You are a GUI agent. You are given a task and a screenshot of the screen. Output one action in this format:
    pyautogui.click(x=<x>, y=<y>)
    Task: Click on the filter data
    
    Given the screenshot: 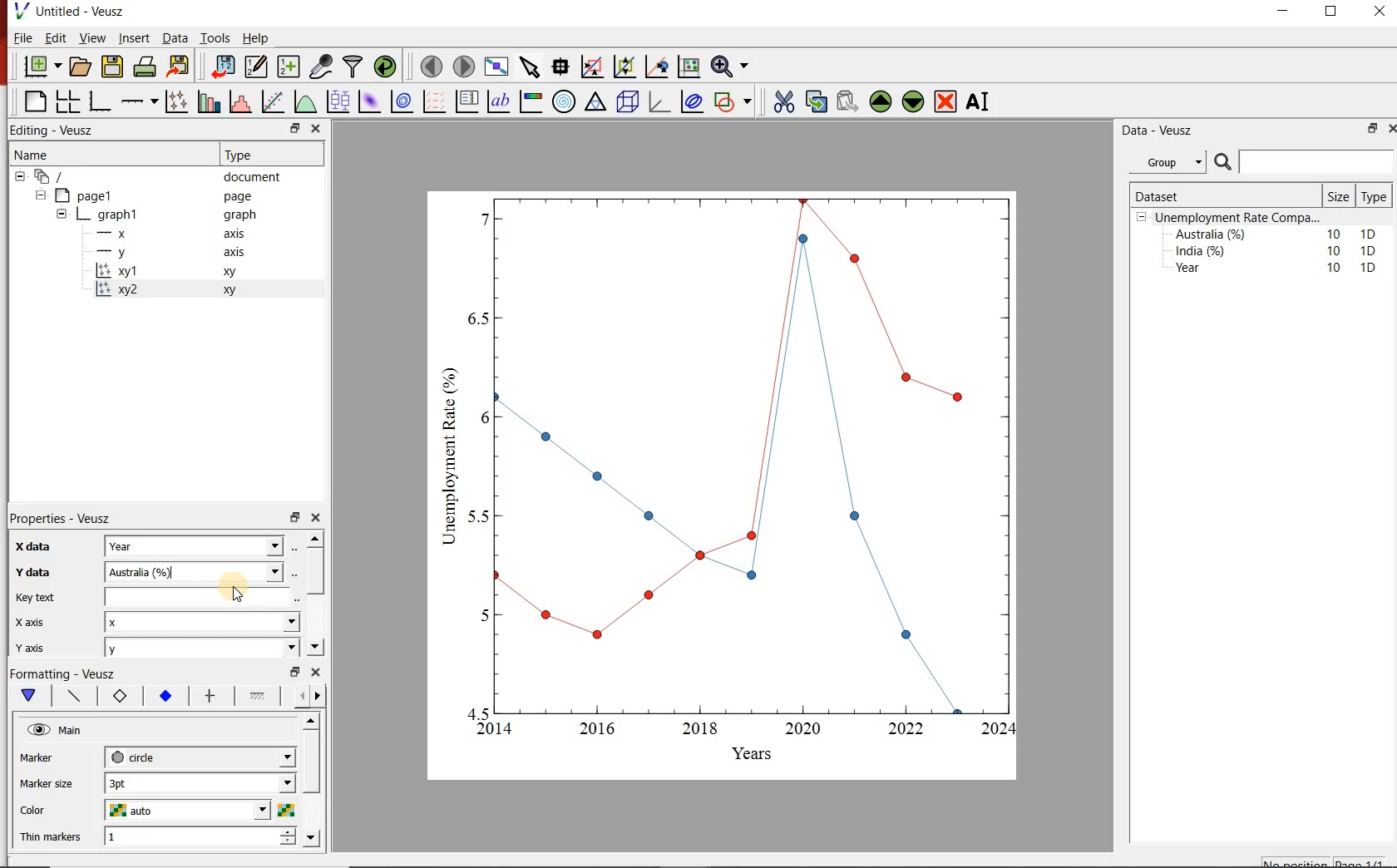 What is the action you would take?
    pyautogui.click(x=352, y=67)
    